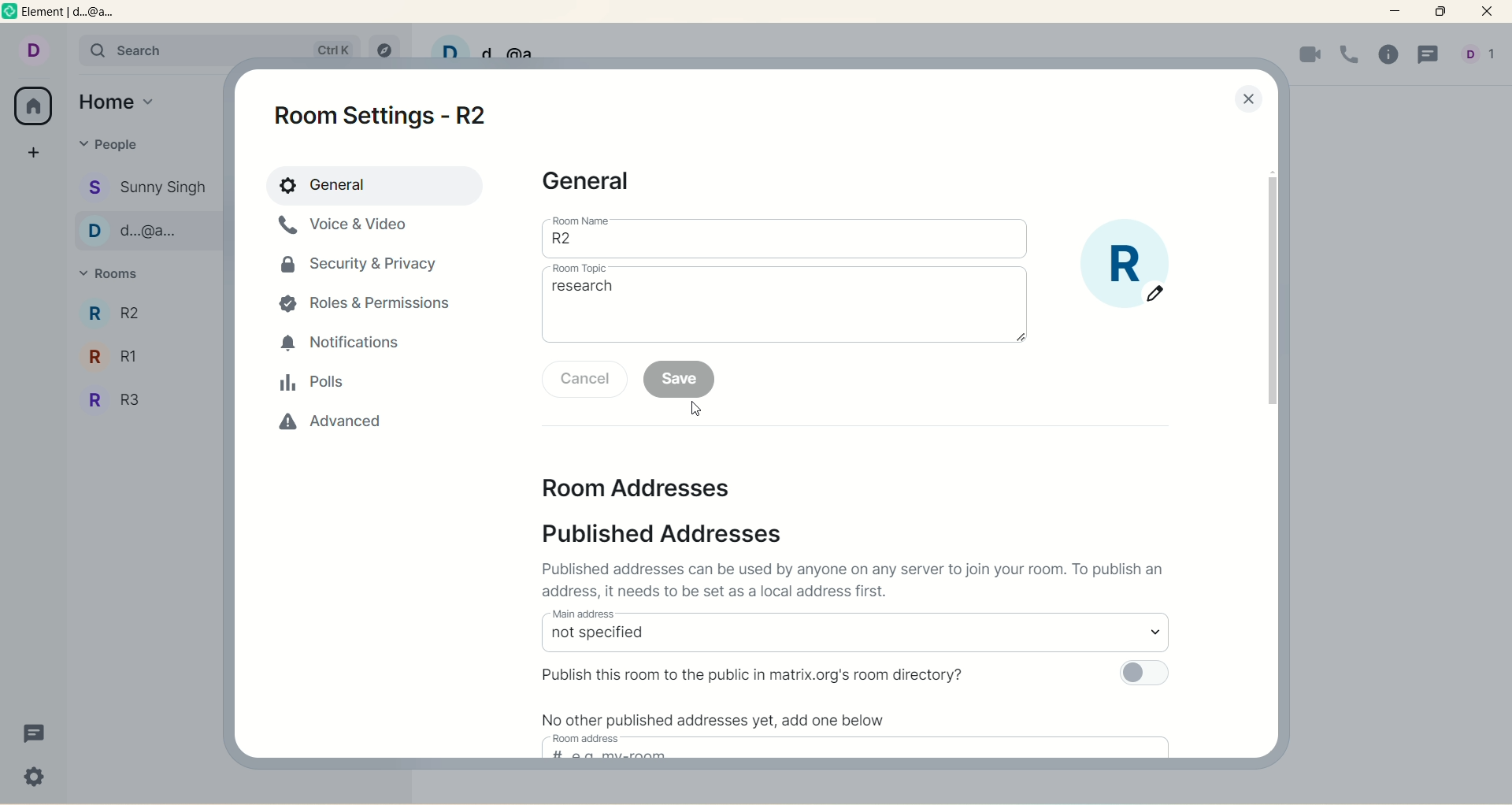 This screenshot has width=1512, height=805. What do you see at coordinates (583, 613) in the screenshot?
I see `main address` at bounding box center [583, 613].